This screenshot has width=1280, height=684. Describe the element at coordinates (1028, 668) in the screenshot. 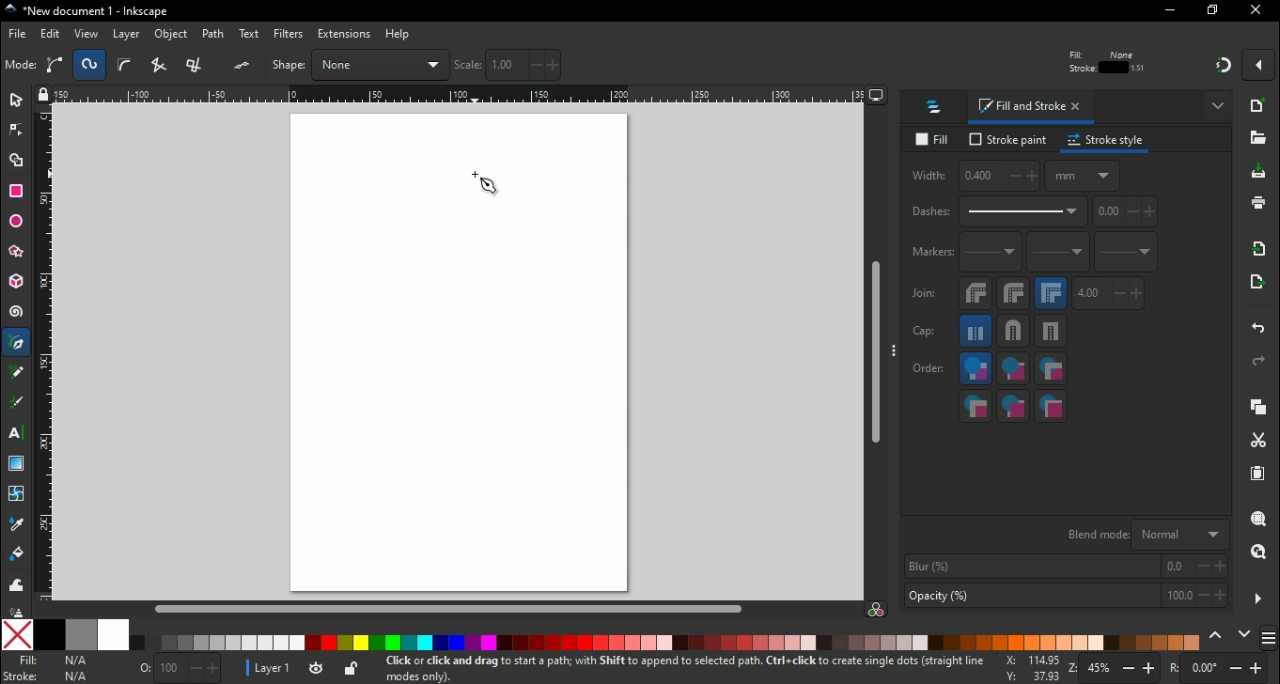

I see `cursor coordinates` at that location.